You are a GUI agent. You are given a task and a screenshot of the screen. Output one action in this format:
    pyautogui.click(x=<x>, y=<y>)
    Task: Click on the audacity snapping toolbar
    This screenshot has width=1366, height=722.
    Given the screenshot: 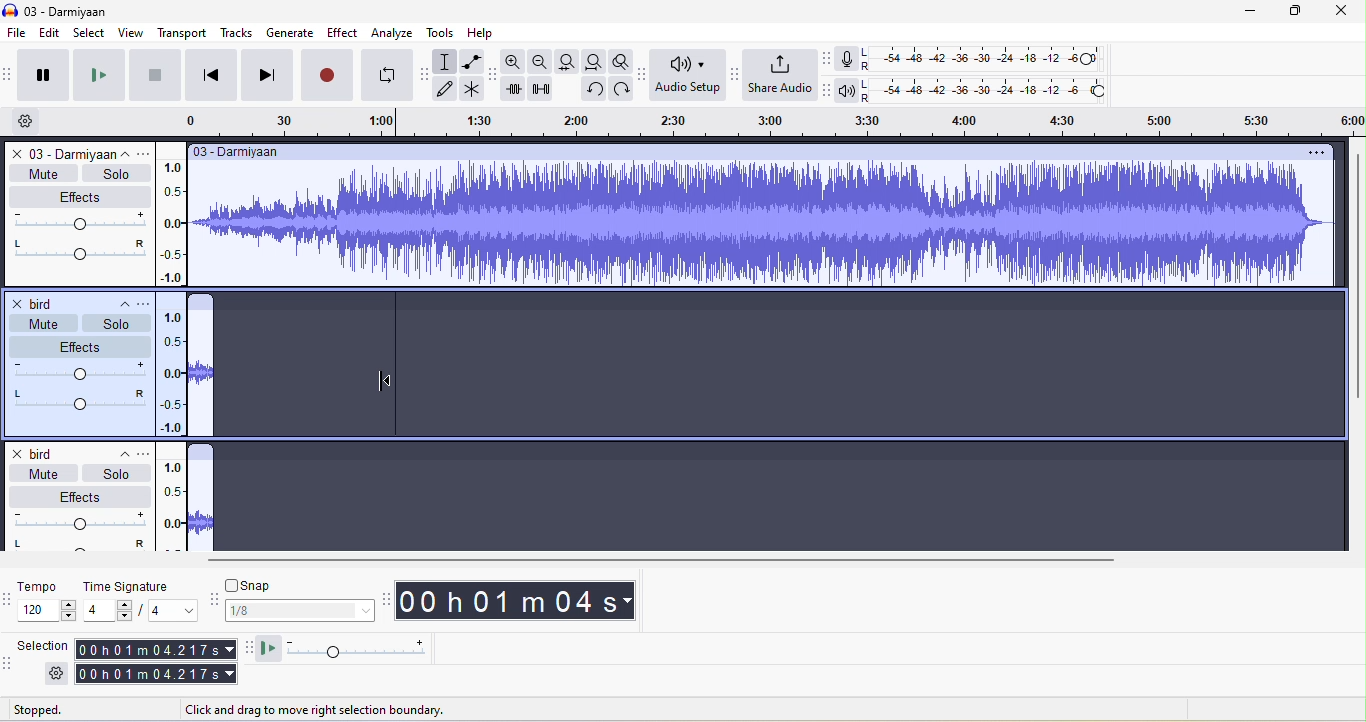 What is the action you would take?
    pyautogui.click(x=208, y=600)
    